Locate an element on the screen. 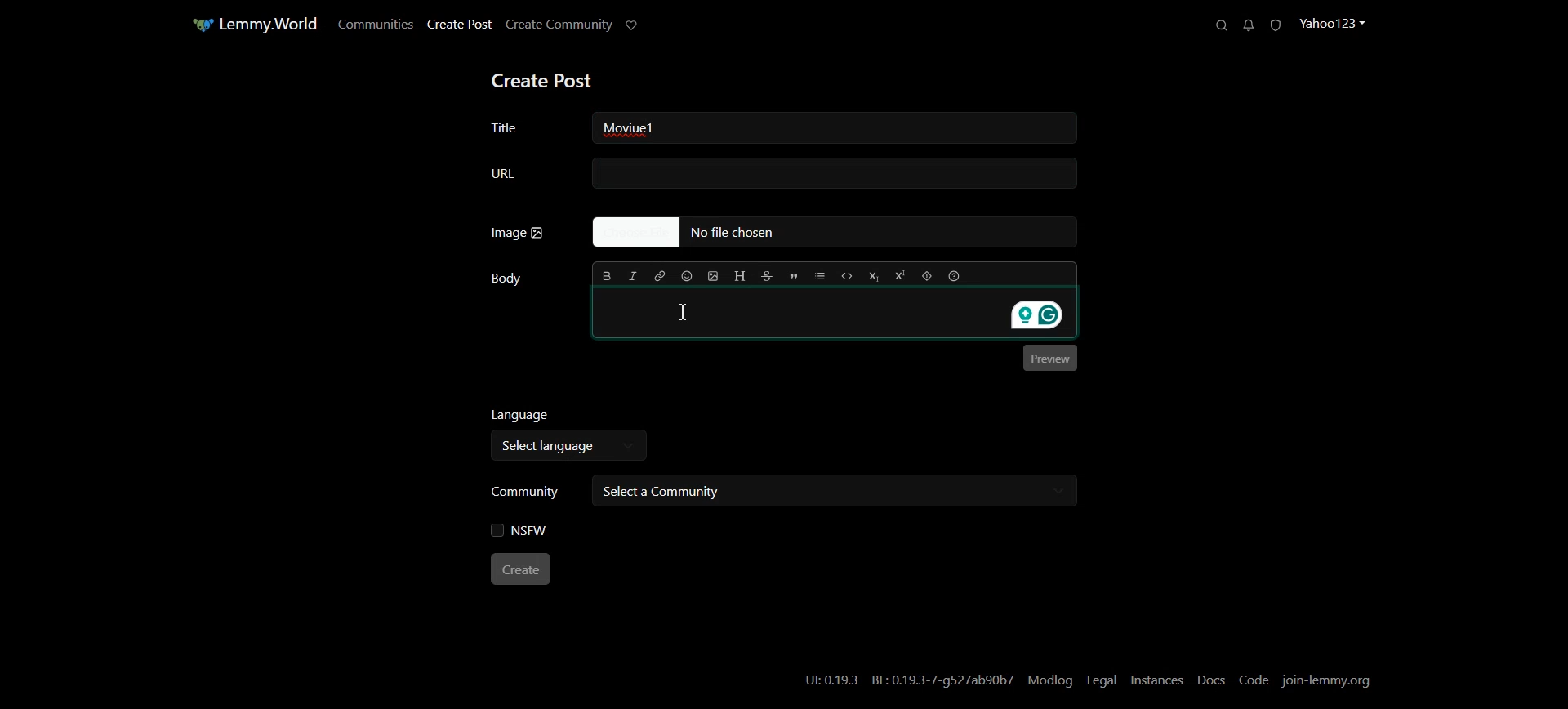 This screenshot has height=709, width=1568. Italic is located at coordinates (634, 276).